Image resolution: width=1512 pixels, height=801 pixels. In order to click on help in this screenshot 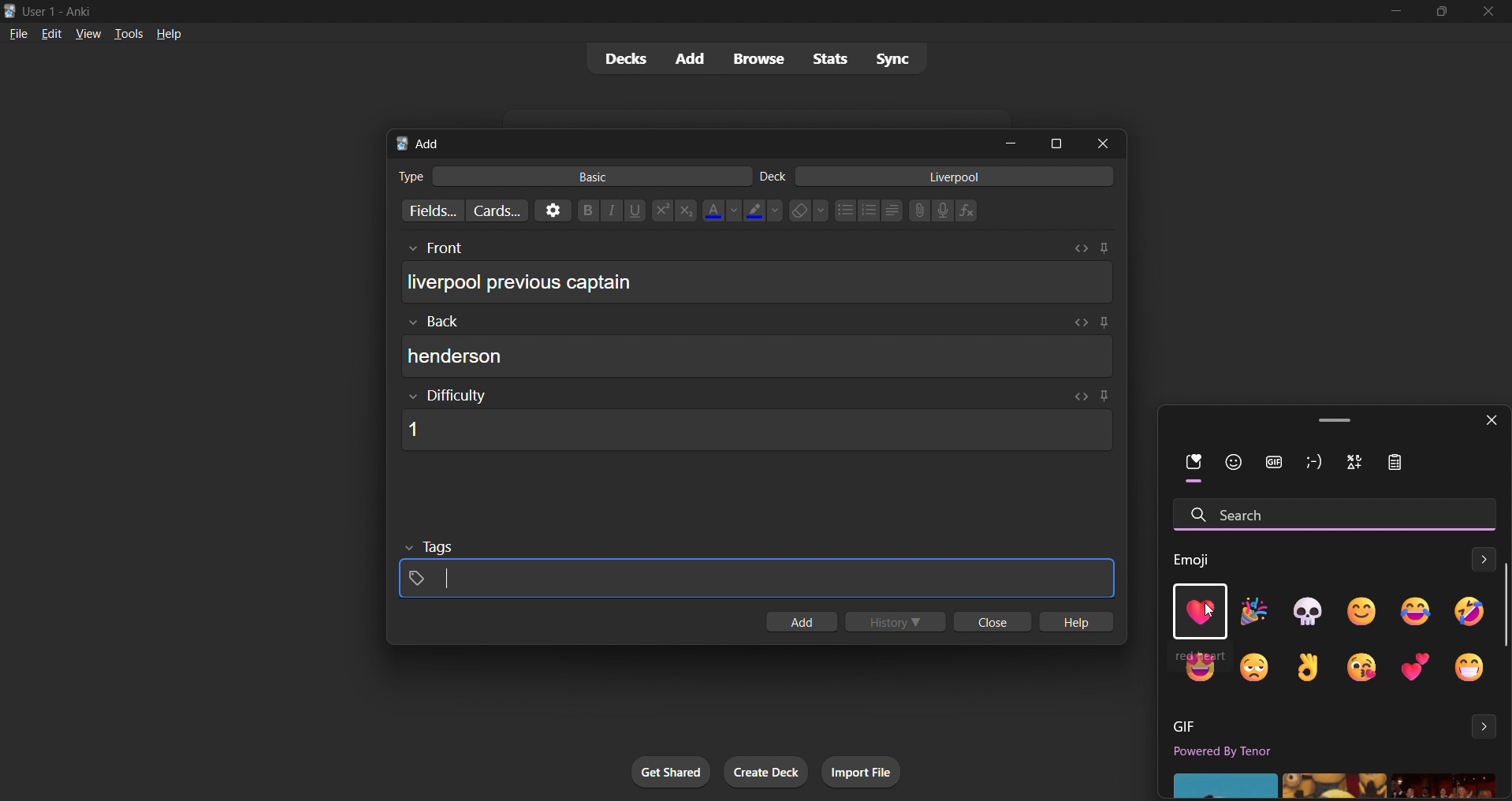, I will do `click(171, 32)`.